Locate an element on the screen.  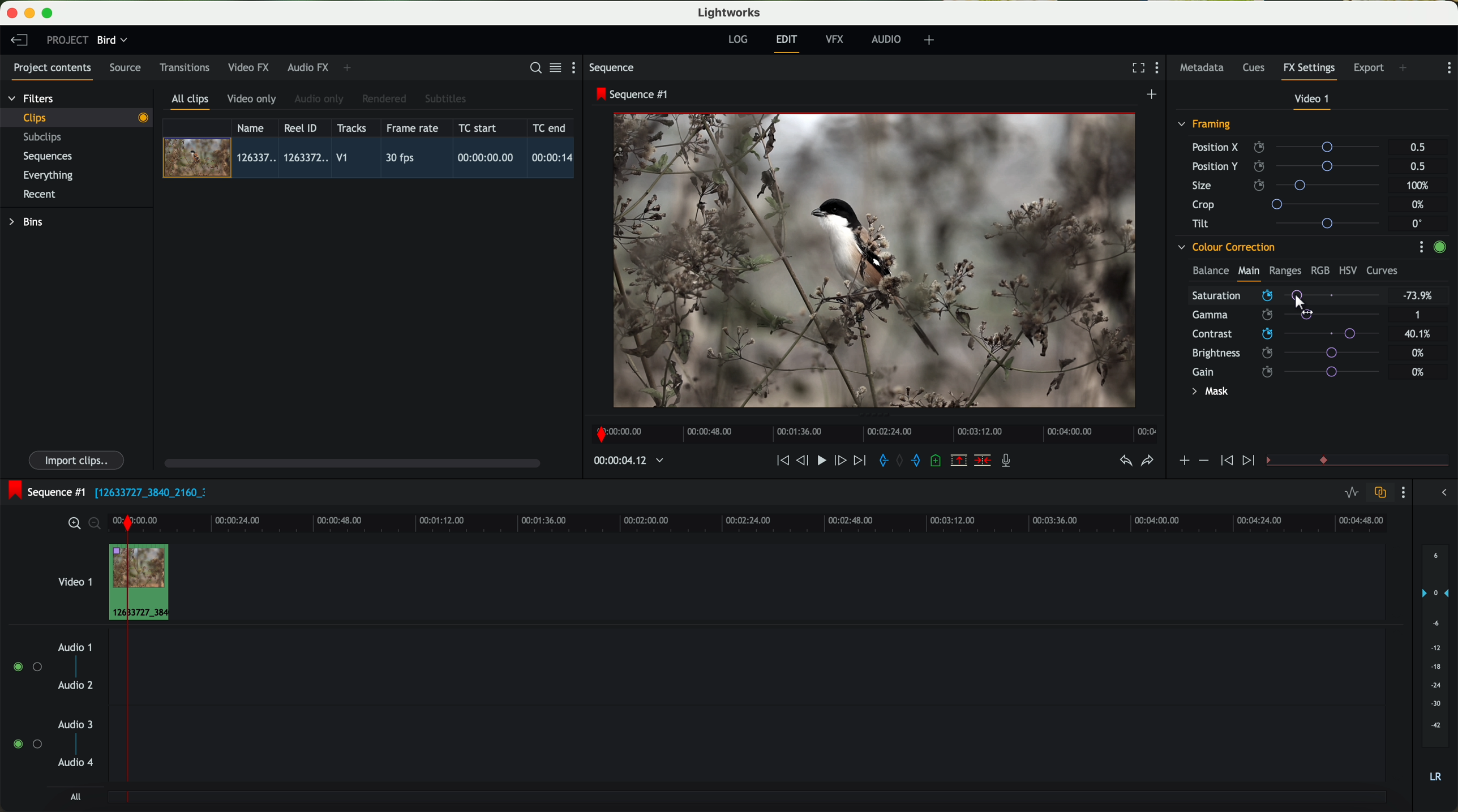
0% is located at coordinates (1418, 351).